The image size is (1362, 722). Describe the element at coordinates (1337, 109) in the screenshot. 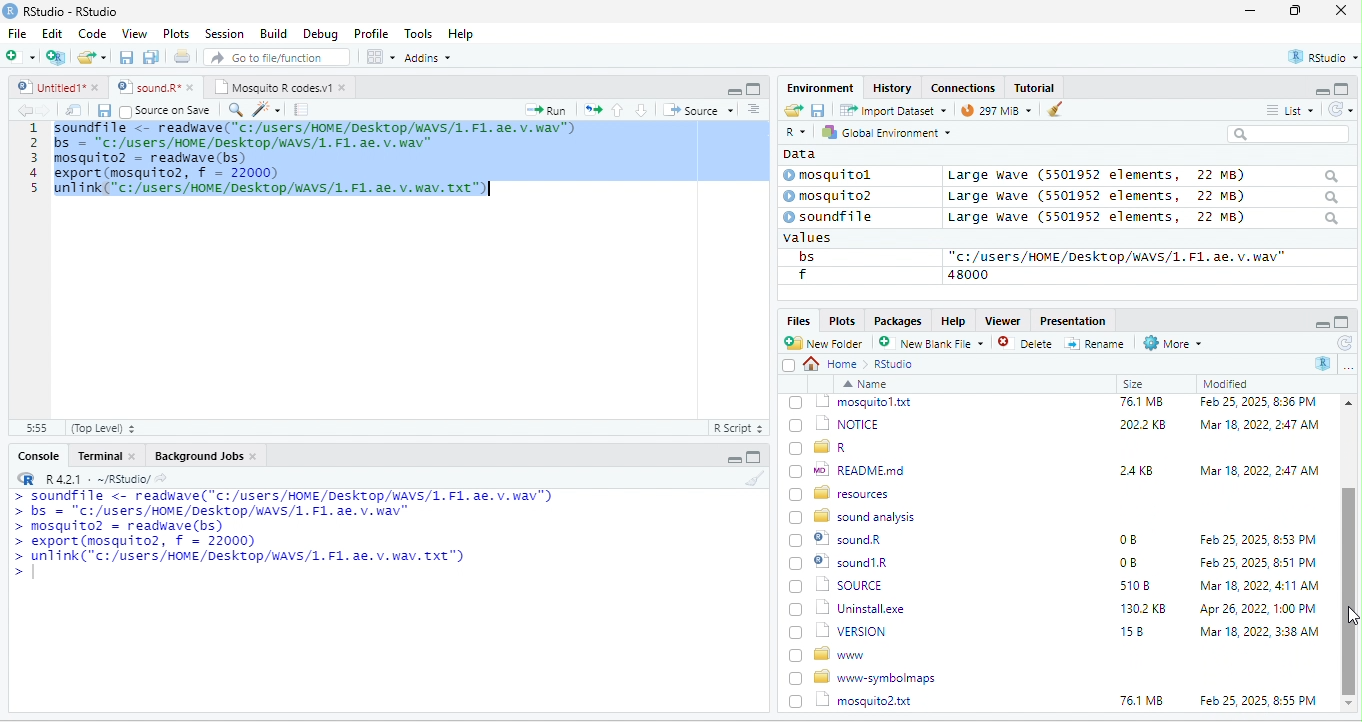

I see `refresh` at that location.